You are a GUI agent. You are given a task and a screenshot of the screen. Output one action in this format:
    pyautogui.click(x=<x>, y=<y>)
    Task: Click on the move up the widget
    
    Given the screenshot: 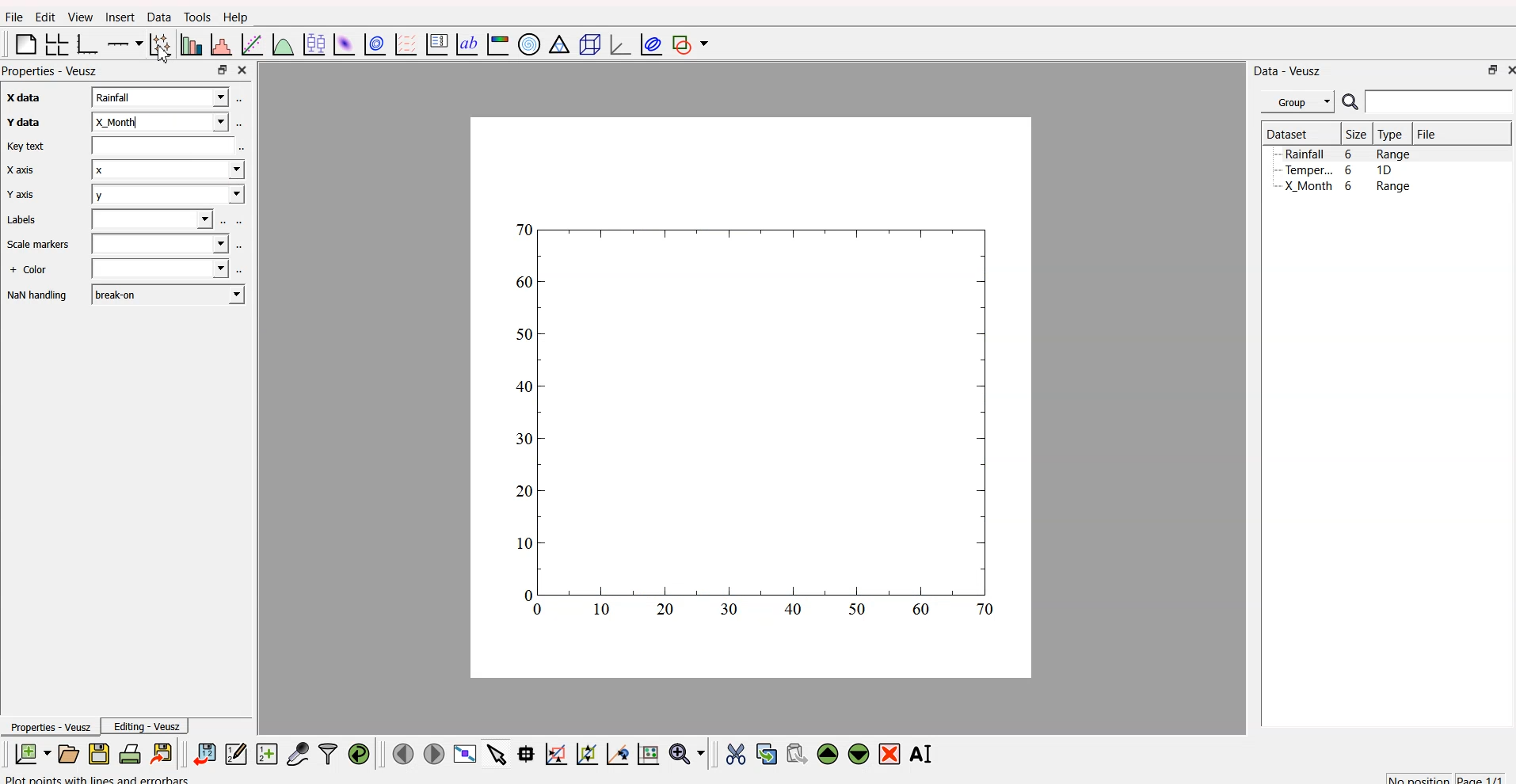 What is the action you would take?
    pyautogui.click(x=827, y=754)
    